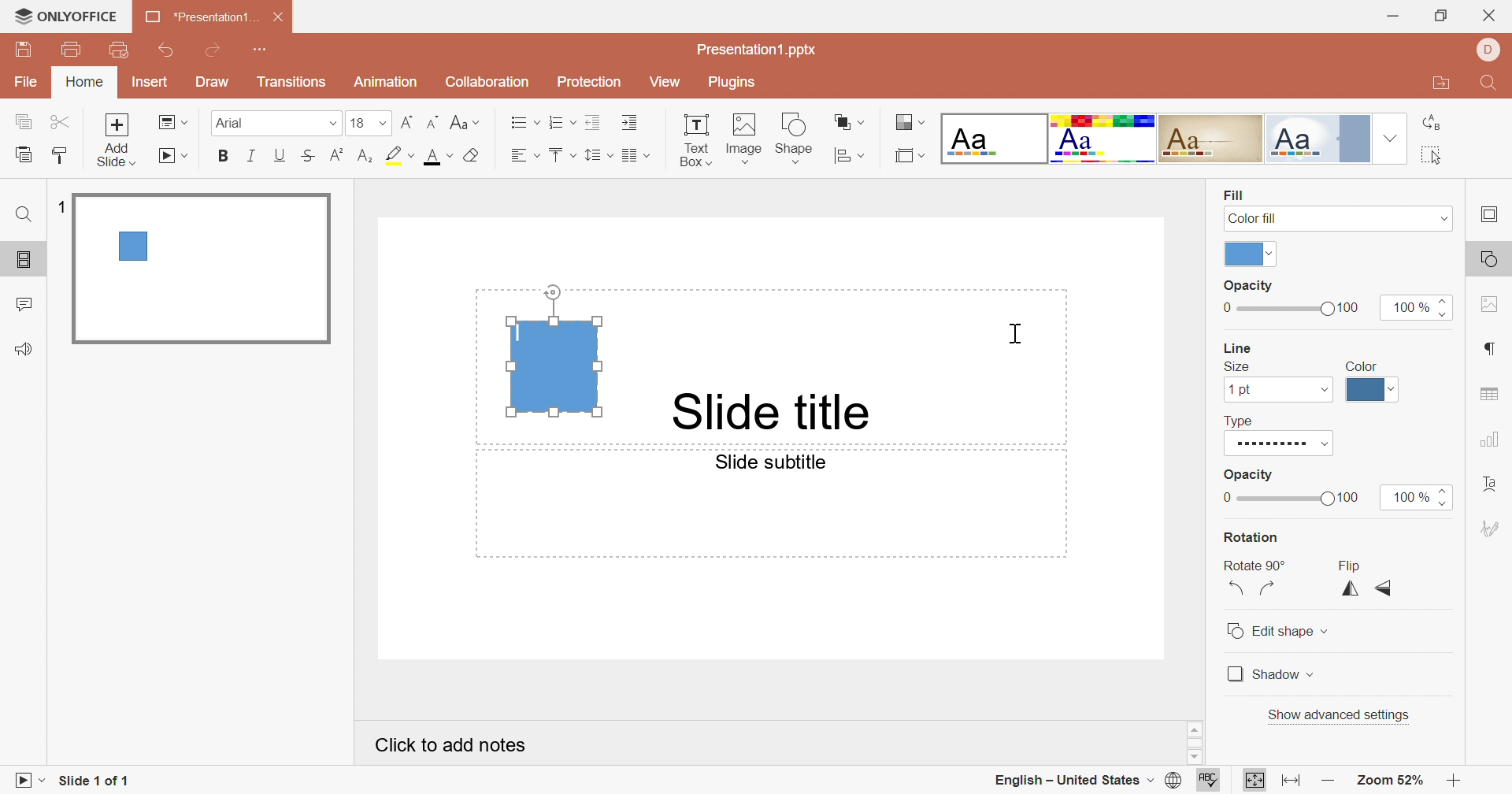  I want to click on Plugins, so click(736, 82).